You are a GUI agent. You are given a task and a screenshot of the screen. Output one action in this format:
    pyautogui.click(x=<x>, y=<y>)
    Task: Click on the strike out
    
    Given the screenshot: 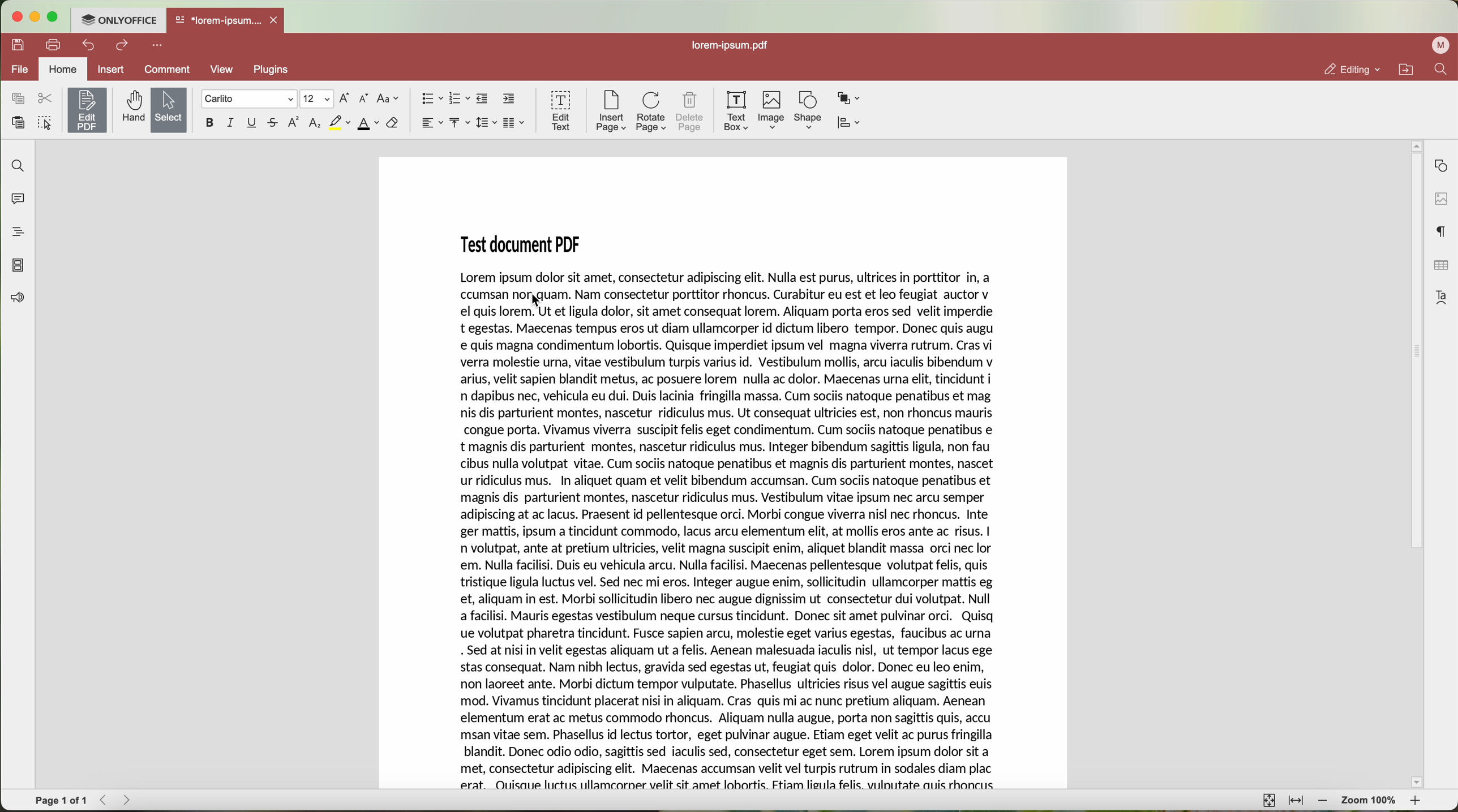 What is the action you would take?
    pyautogui.click(x=276, y=123)
    